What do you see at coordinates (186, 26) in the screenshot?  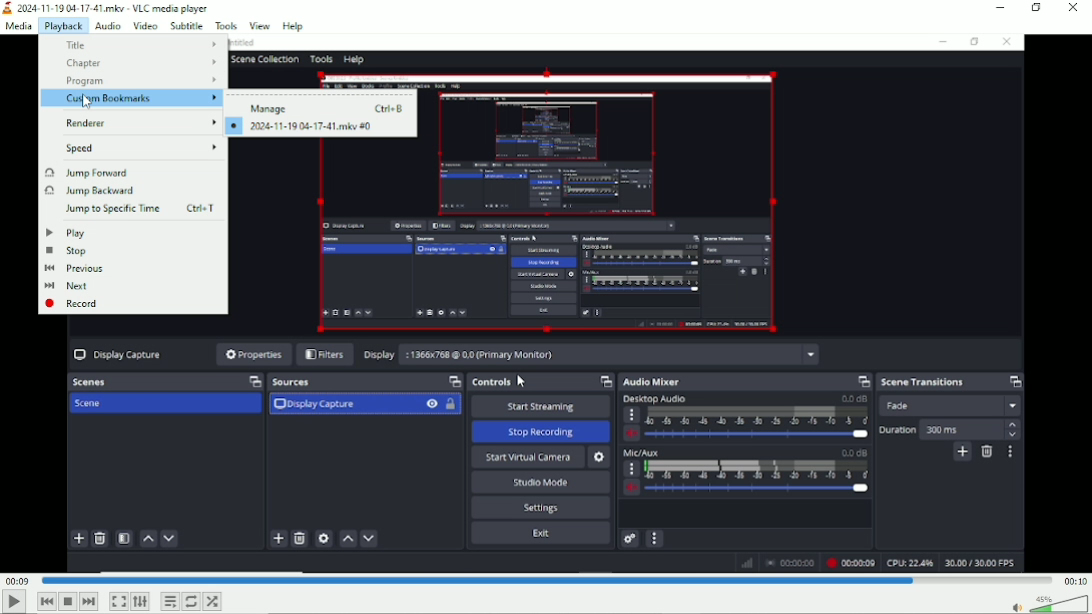 I see `Subtitle` at bounding box center [186, 26].